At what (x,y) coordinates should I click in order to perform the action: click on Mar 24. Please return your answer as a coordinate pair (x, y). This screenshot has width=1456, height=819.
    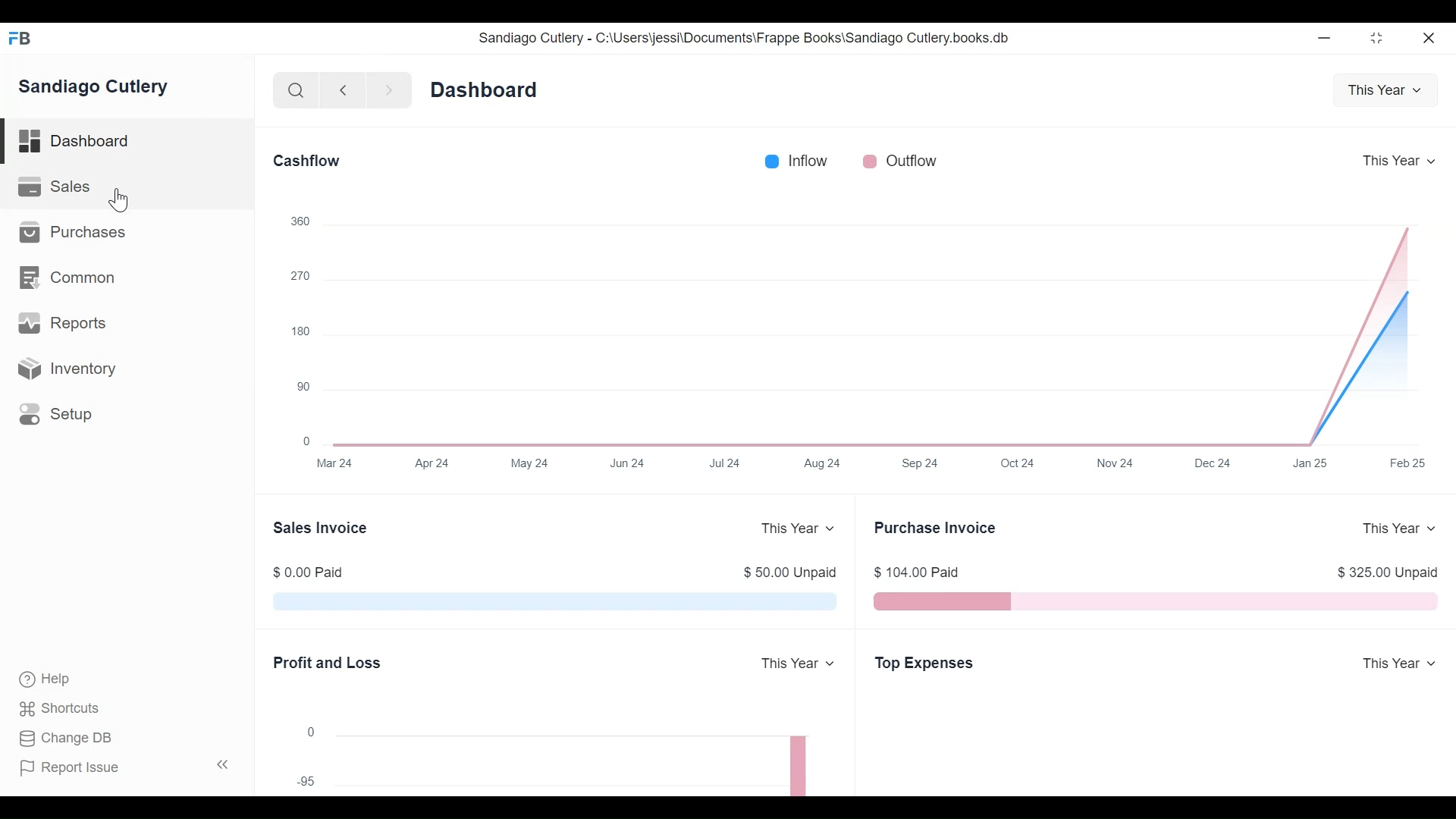
    Looking at the image, I should click on (333, 464).